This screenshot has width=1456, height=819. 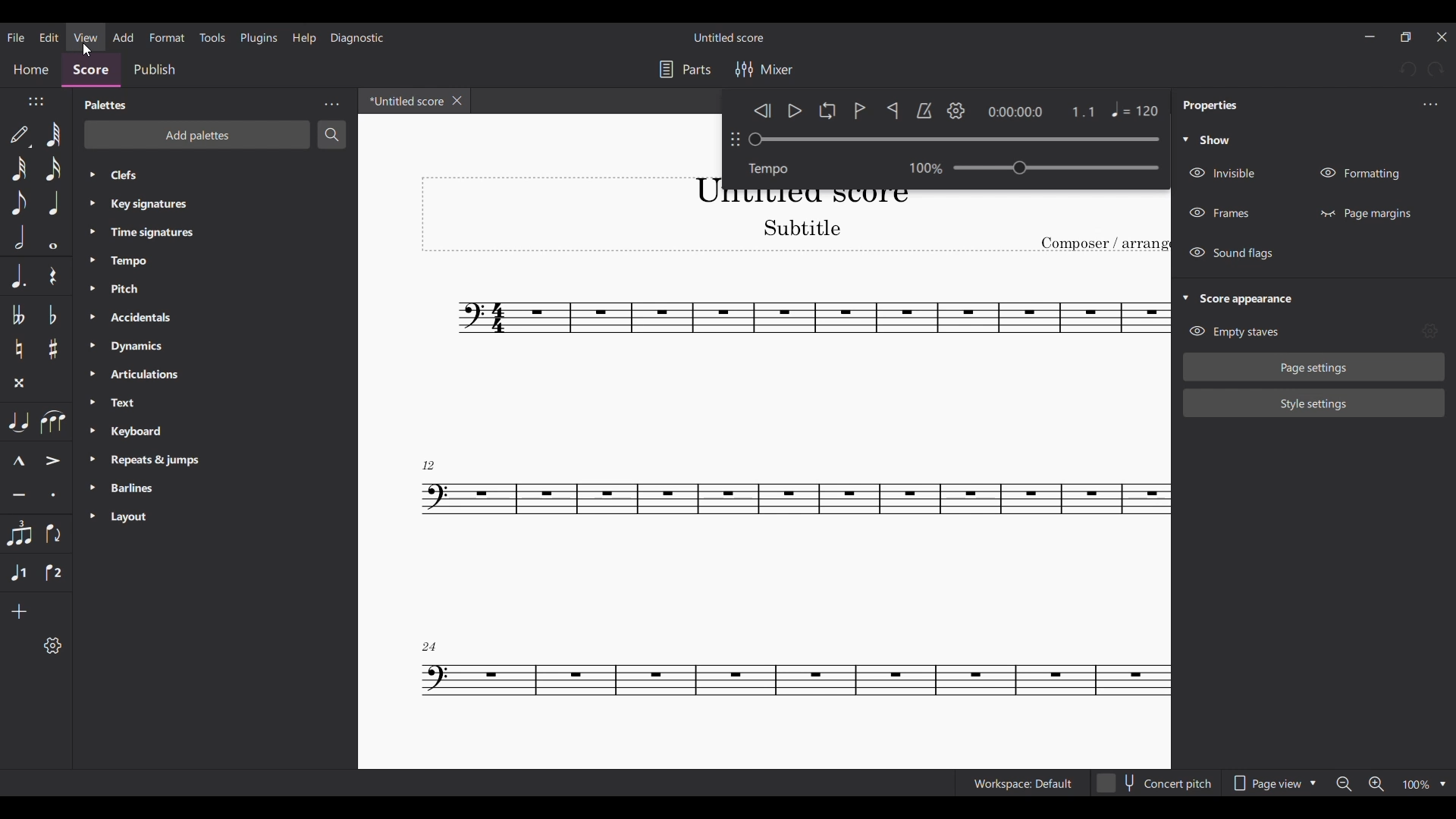 What do you see at coordinates (200, 262) in the screenshot?
I see `Tempo` at bounding box center [200, 262].